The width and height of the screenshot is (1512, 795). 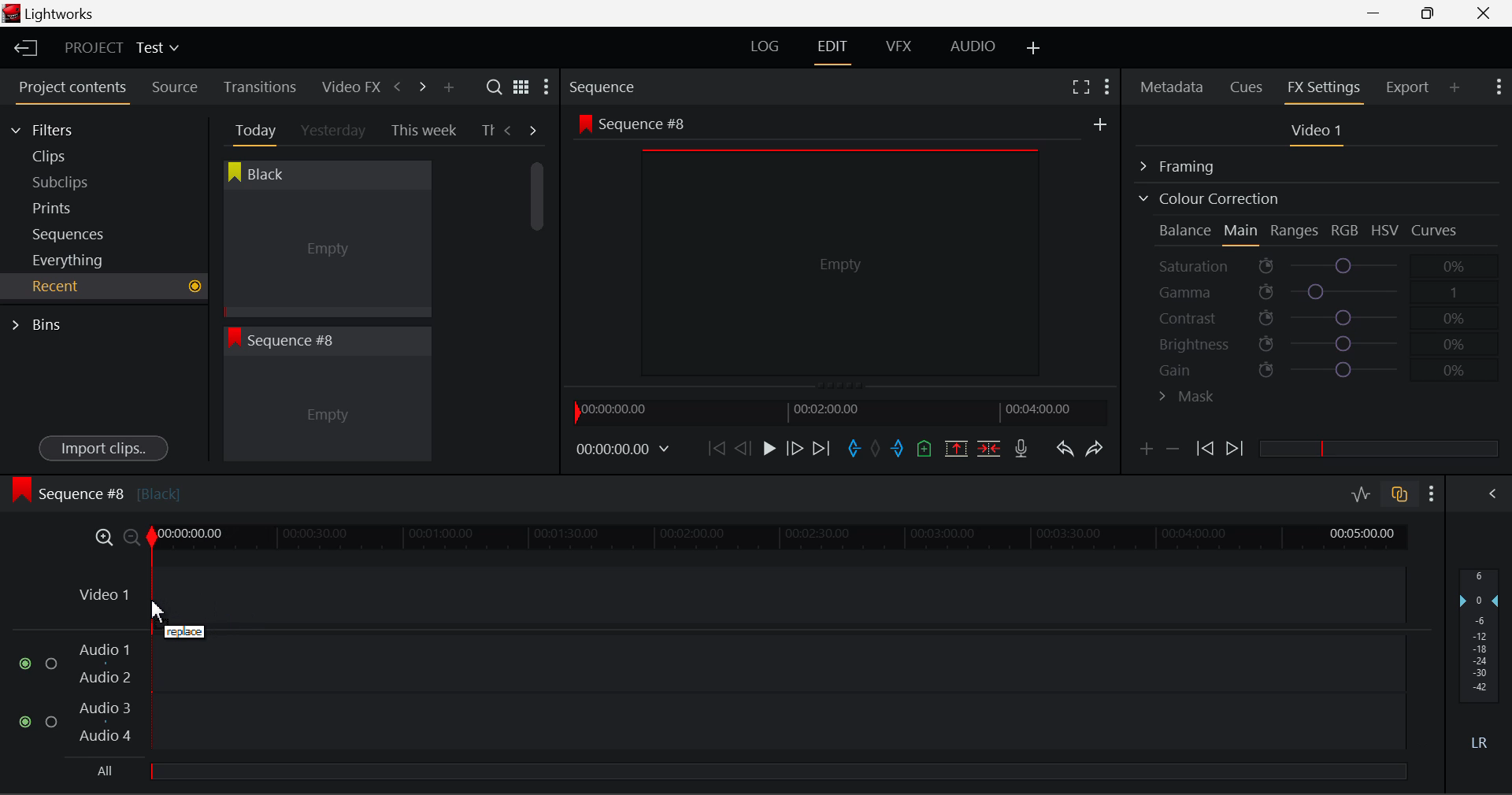 What do you see at coordinates (777, 771) in the screenshot?
I see `slider` at bounding box center [777, 771].